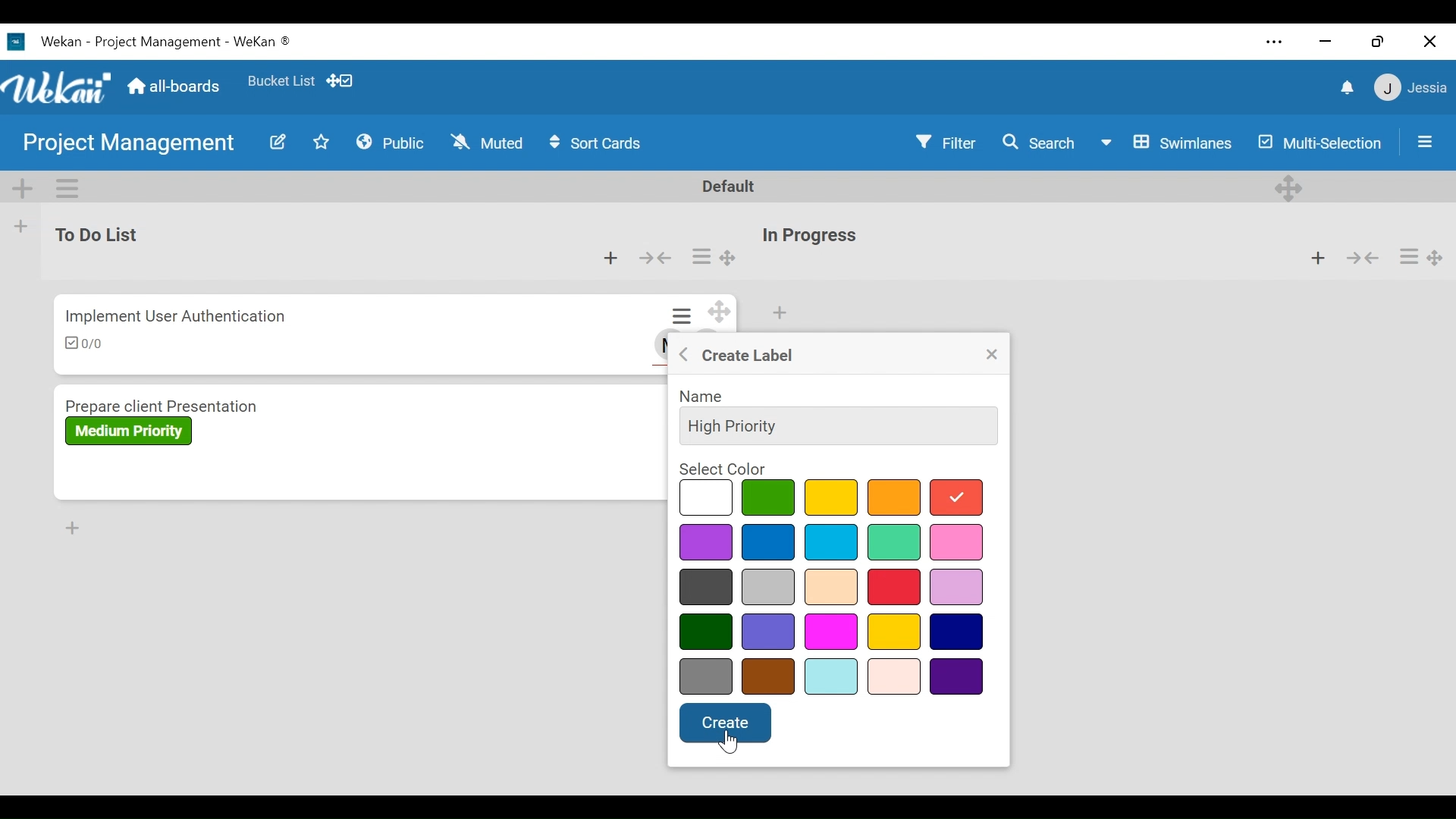 This screenshot has width=1456, height=819. Describe the element at coordinates (611, 259) in the screenshot. I see `Add card to top of the list` at that location.